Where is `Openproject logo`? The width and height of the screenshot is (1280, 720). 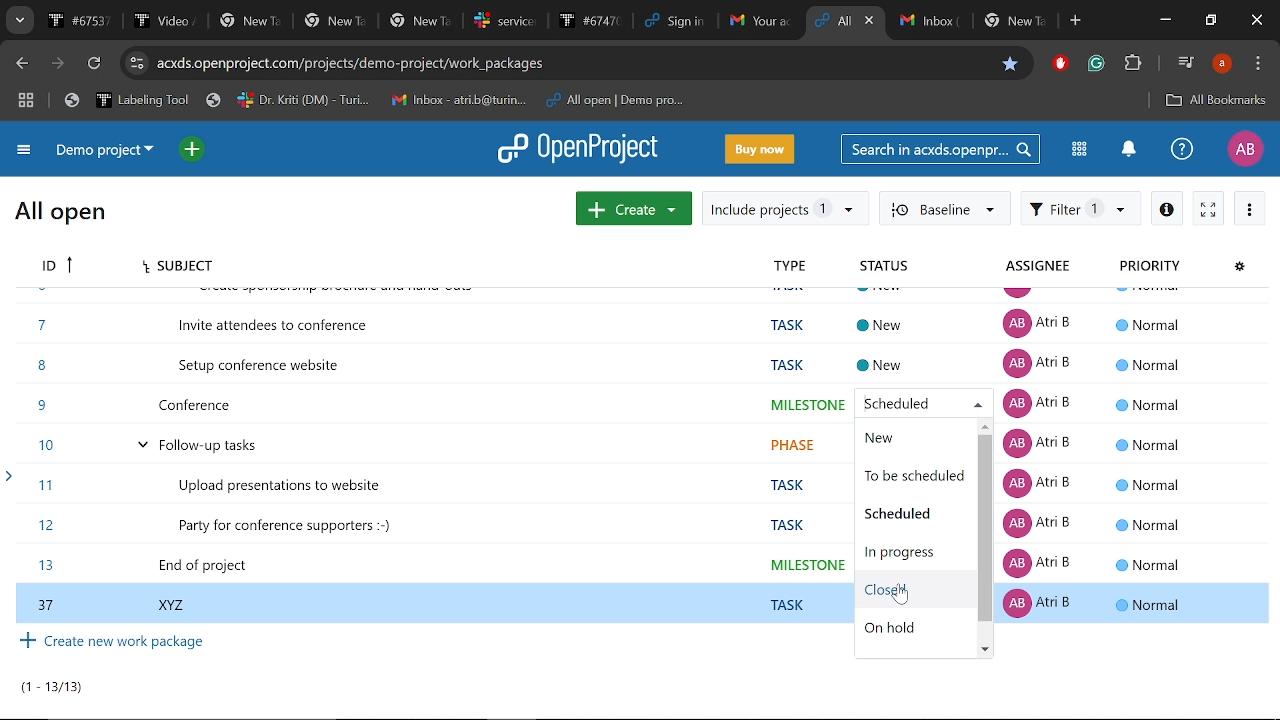
Openproject logo is located at coordinates (579, 148).